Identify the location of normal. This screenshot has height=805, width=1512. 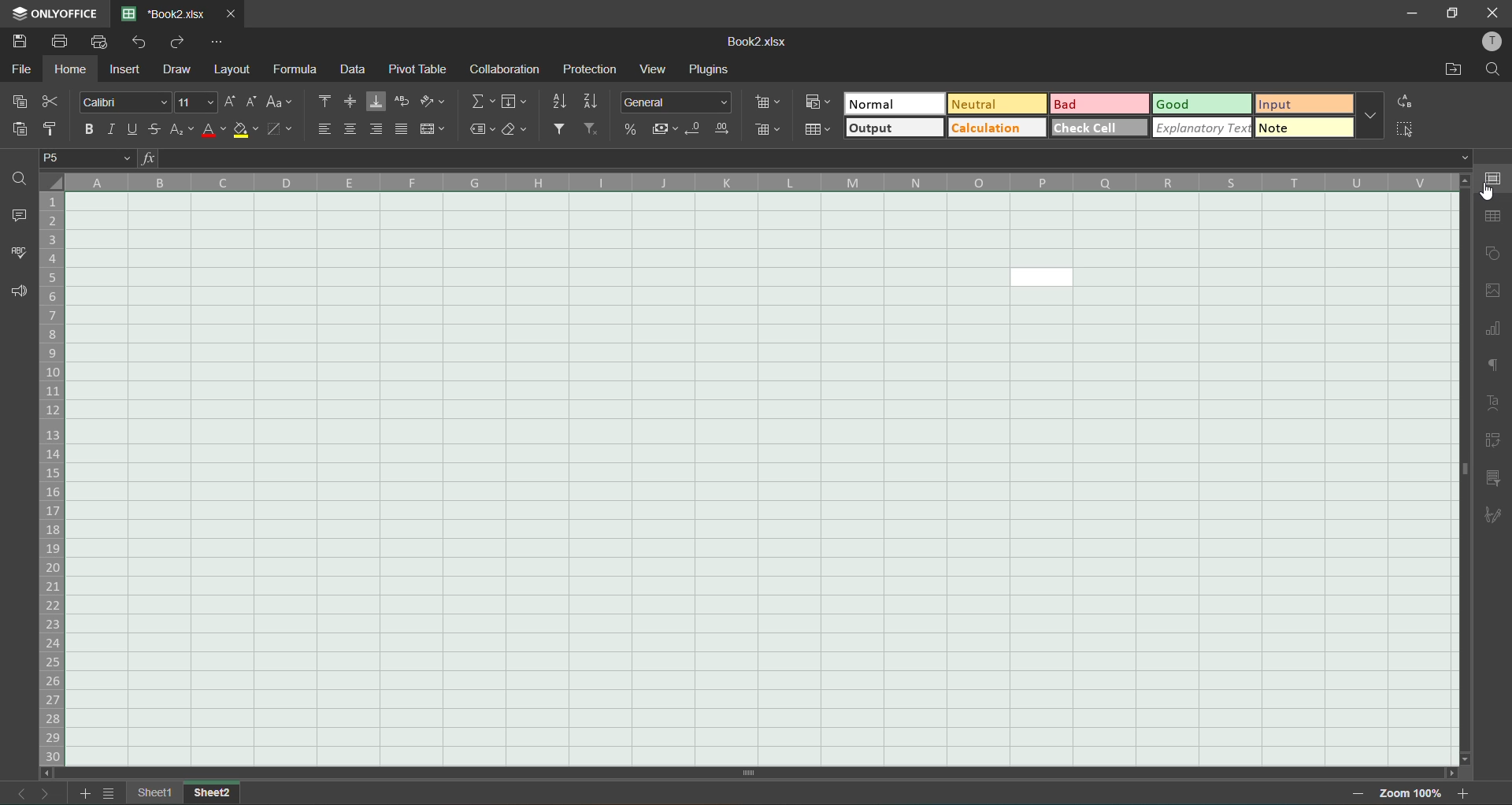
(893, 102).